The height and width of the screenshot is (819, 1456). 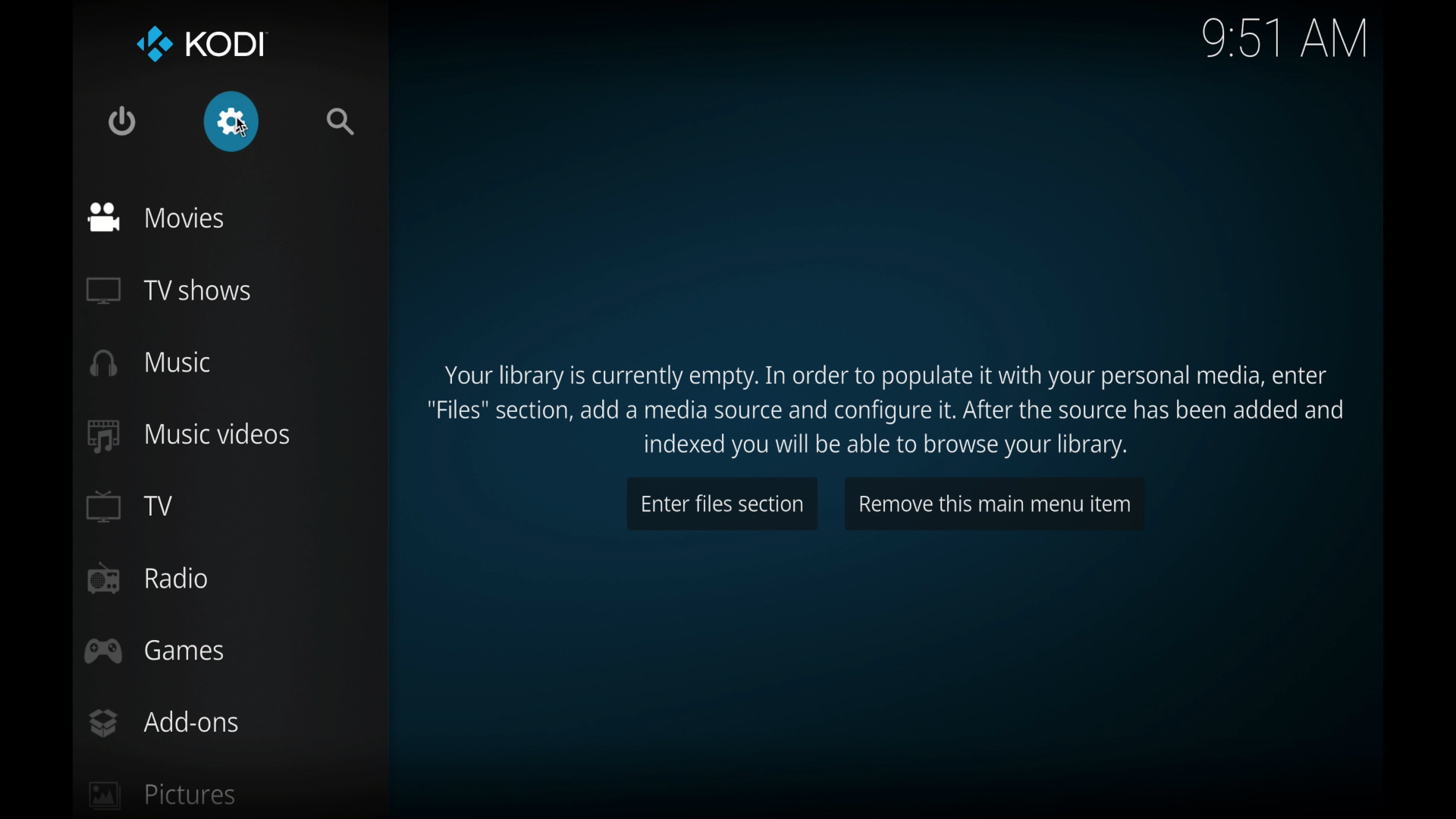 I want to click on games, so click(x=155, y=651).